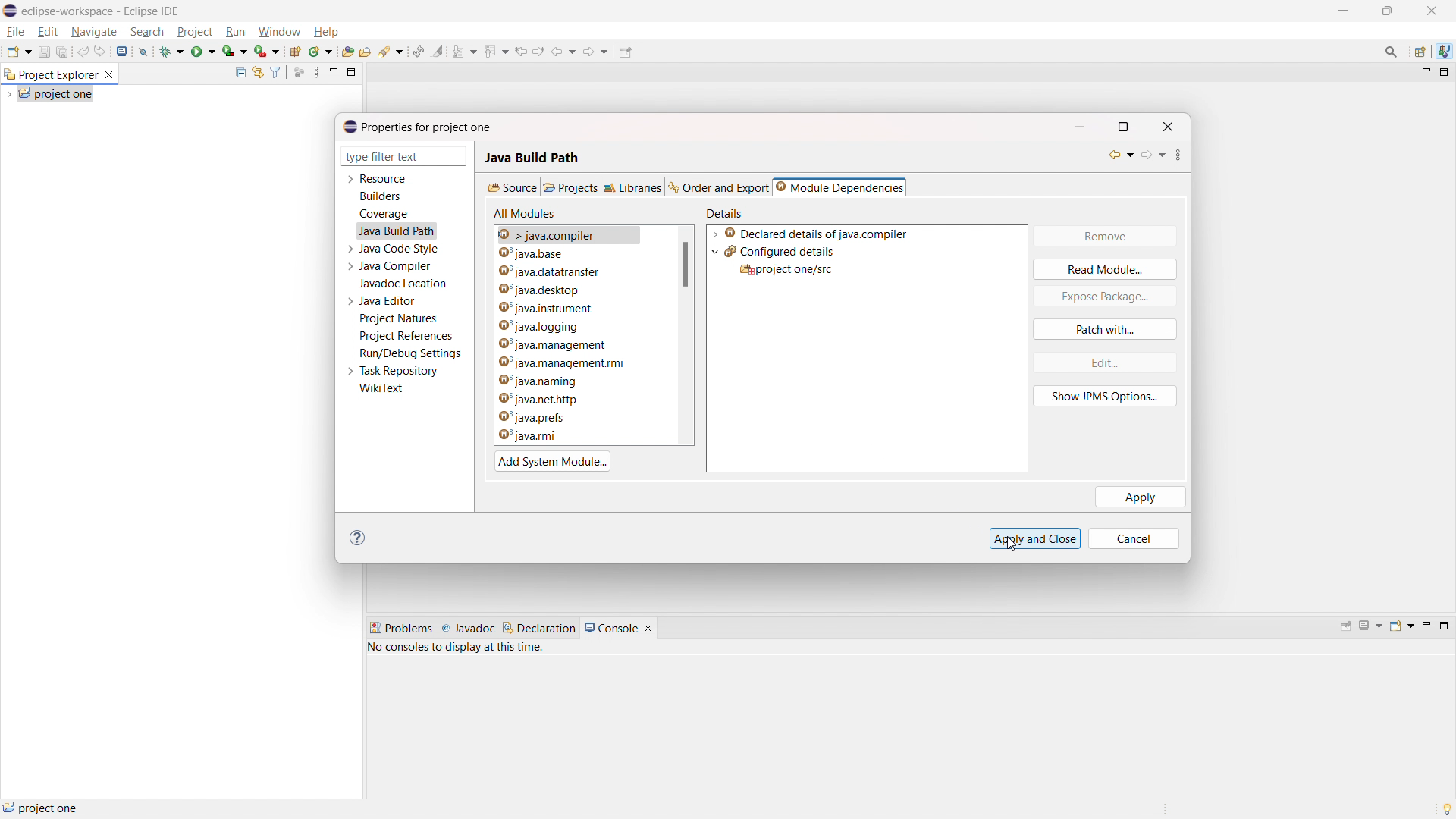 The height and width of the screenshot is (819, 1456). What do you see at coordinates (101, 51) in the screenshot?
I see `redo` at bounding box center [101, 51].